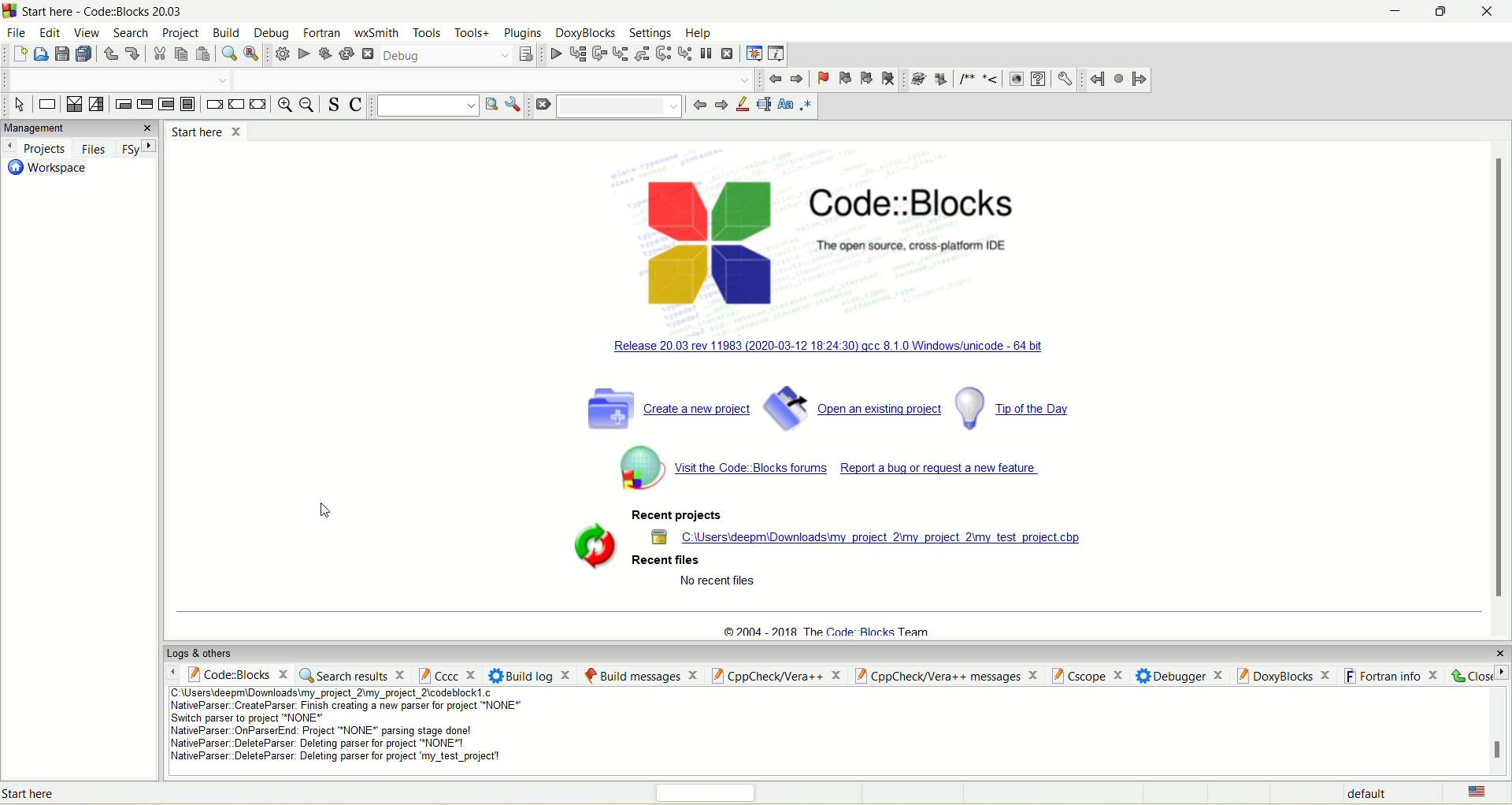 Image resolution: width=1512 pixels, height=805 pixels. I want to click on view, so click(91, 35).